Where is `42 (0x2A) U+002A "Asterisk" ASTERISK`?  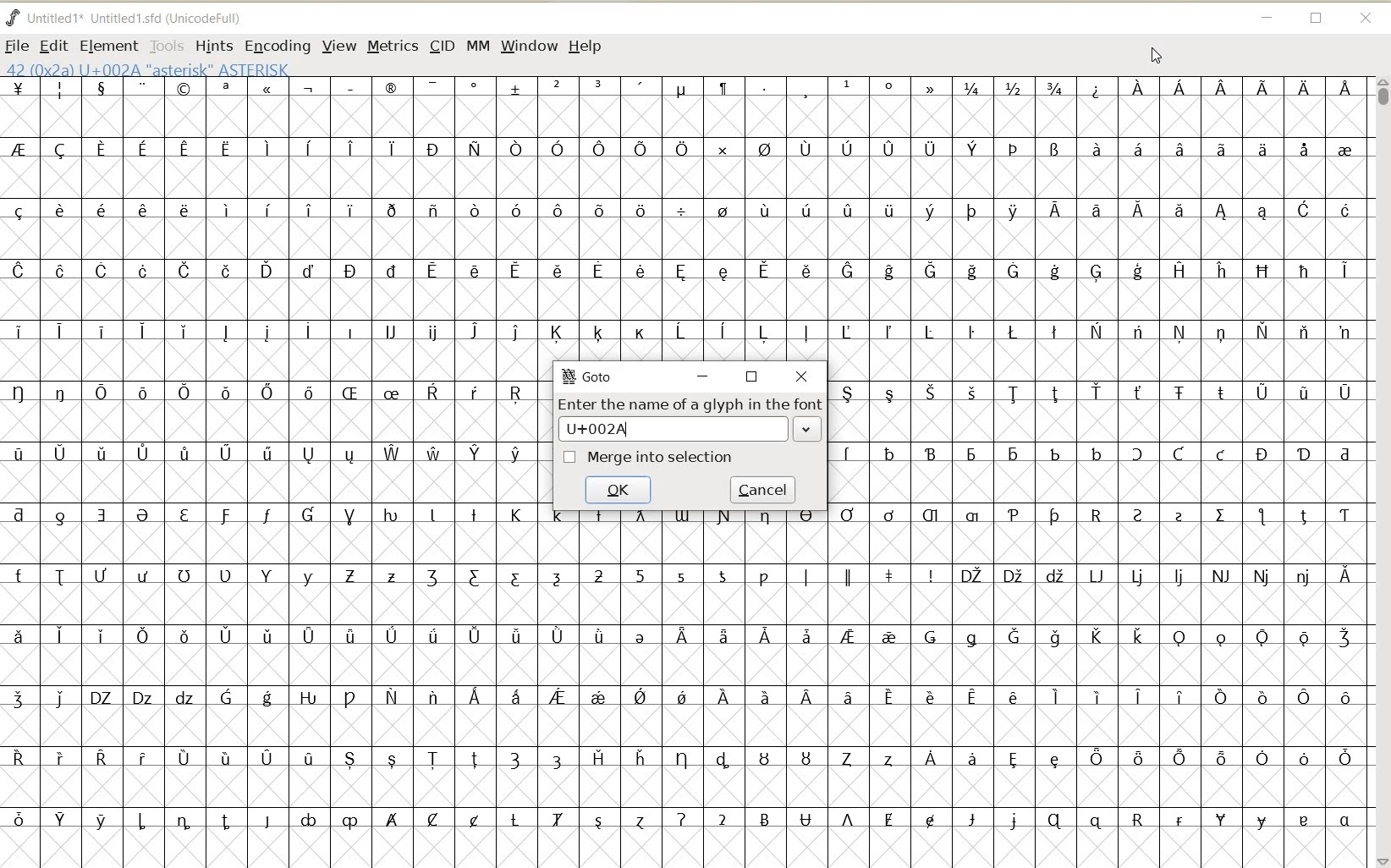
42 (0x2A) U+002A "Asterisk" ASTERISK is located at coordinates (147, 69).